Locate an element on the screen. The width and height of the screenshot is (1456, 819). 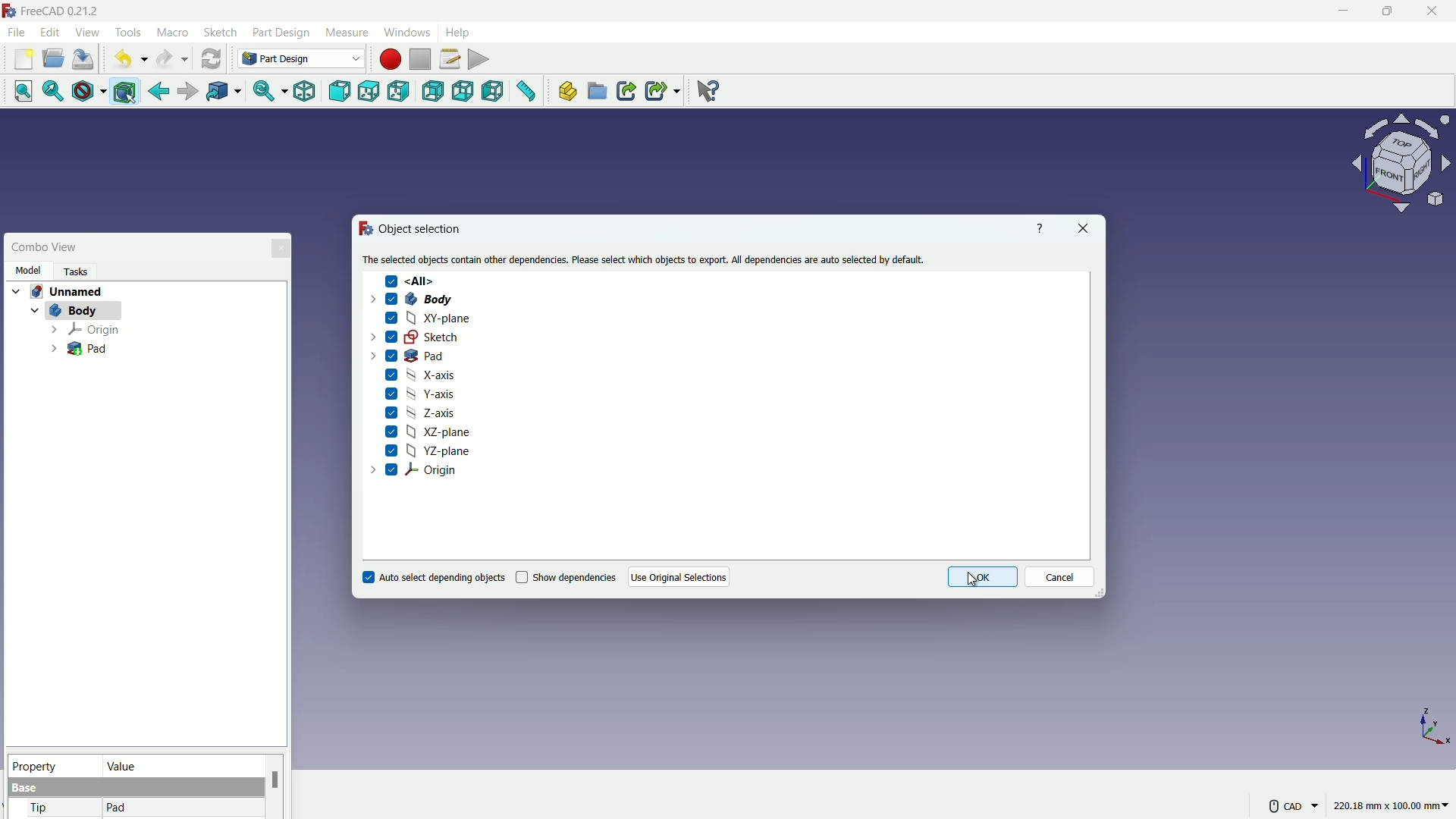
macro is located at coordinates (174, 33).